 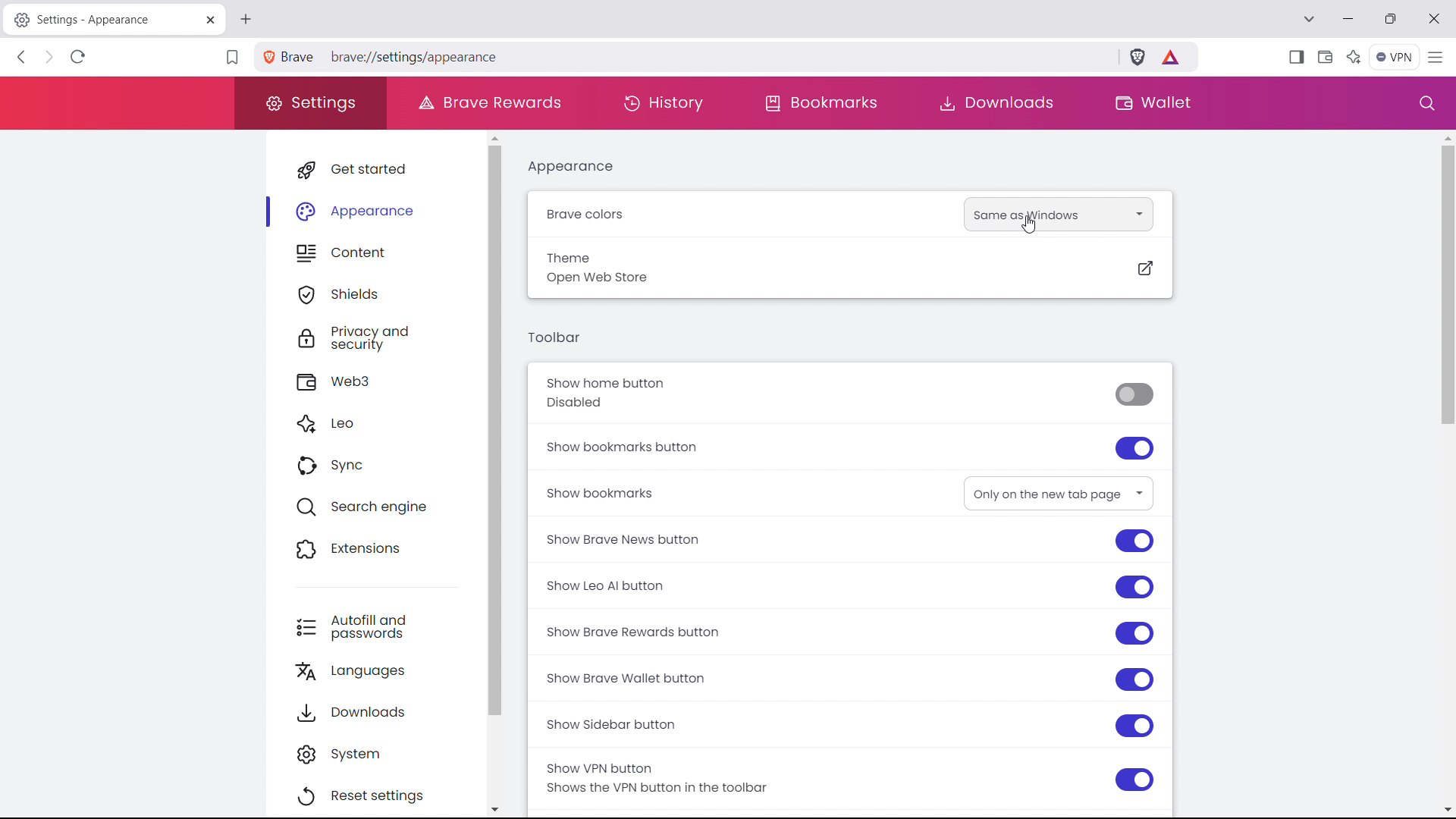 I want to click on Theme Open Web store, so click(x=849, y=268).